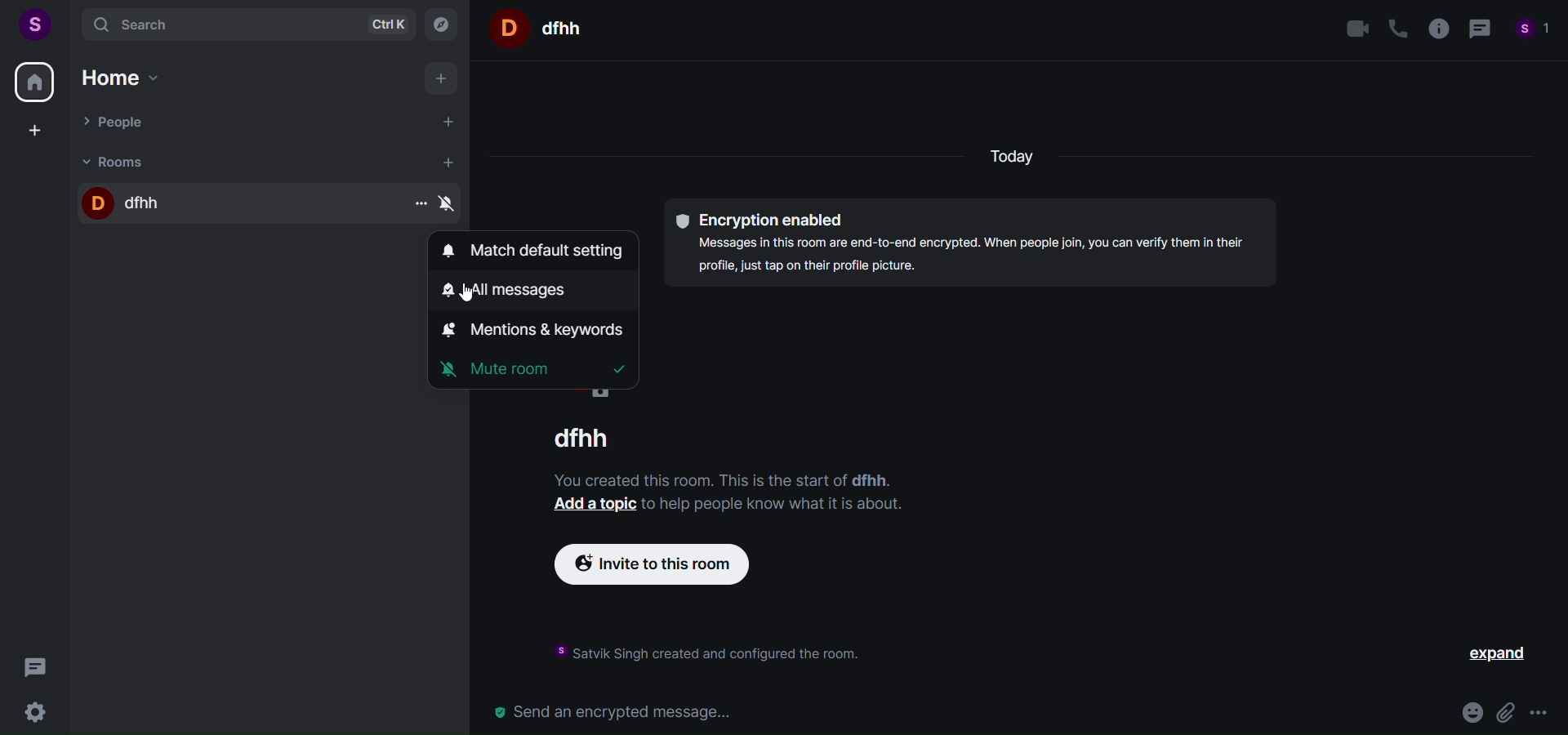 This screenshot has width=1568, height=735. Describe the element at coordinates (593, 505) in the screenshot. I see `add a topic` at that location.